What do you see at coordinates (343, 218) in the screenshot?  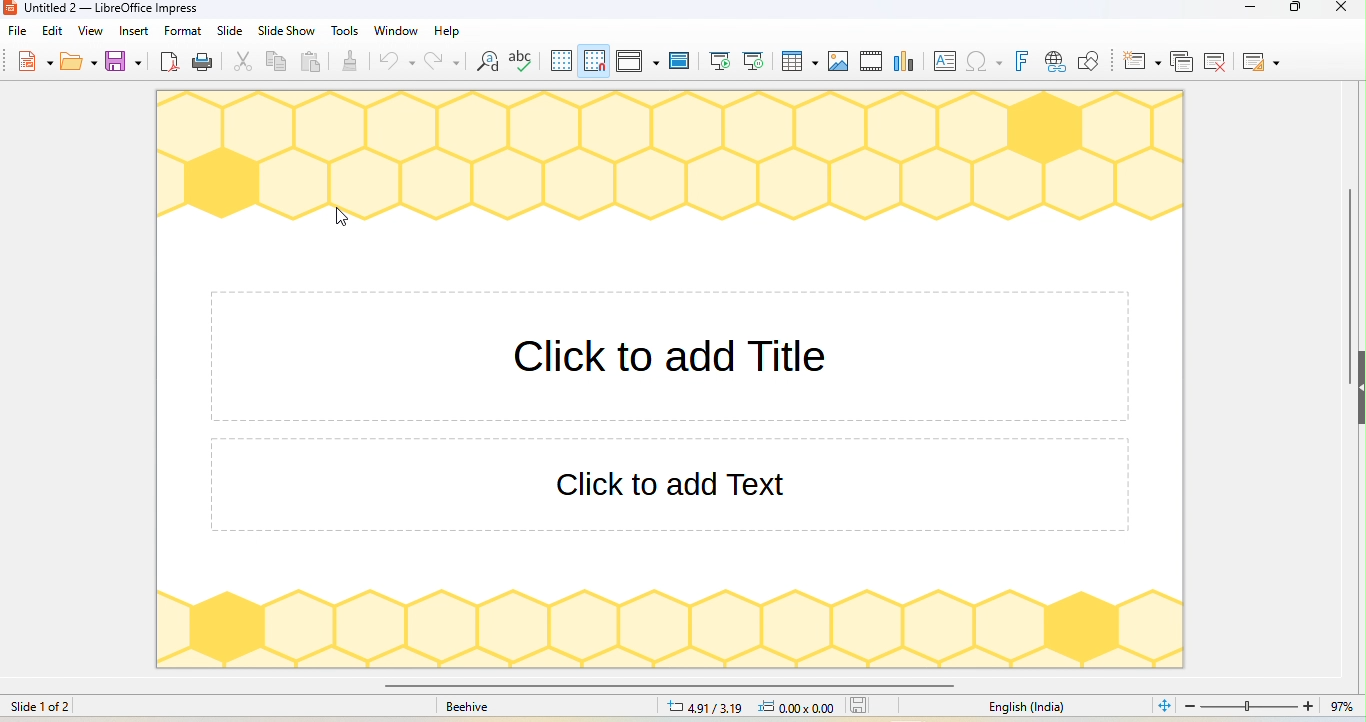 I see `cursor movement` at bounding box center [343, 218].